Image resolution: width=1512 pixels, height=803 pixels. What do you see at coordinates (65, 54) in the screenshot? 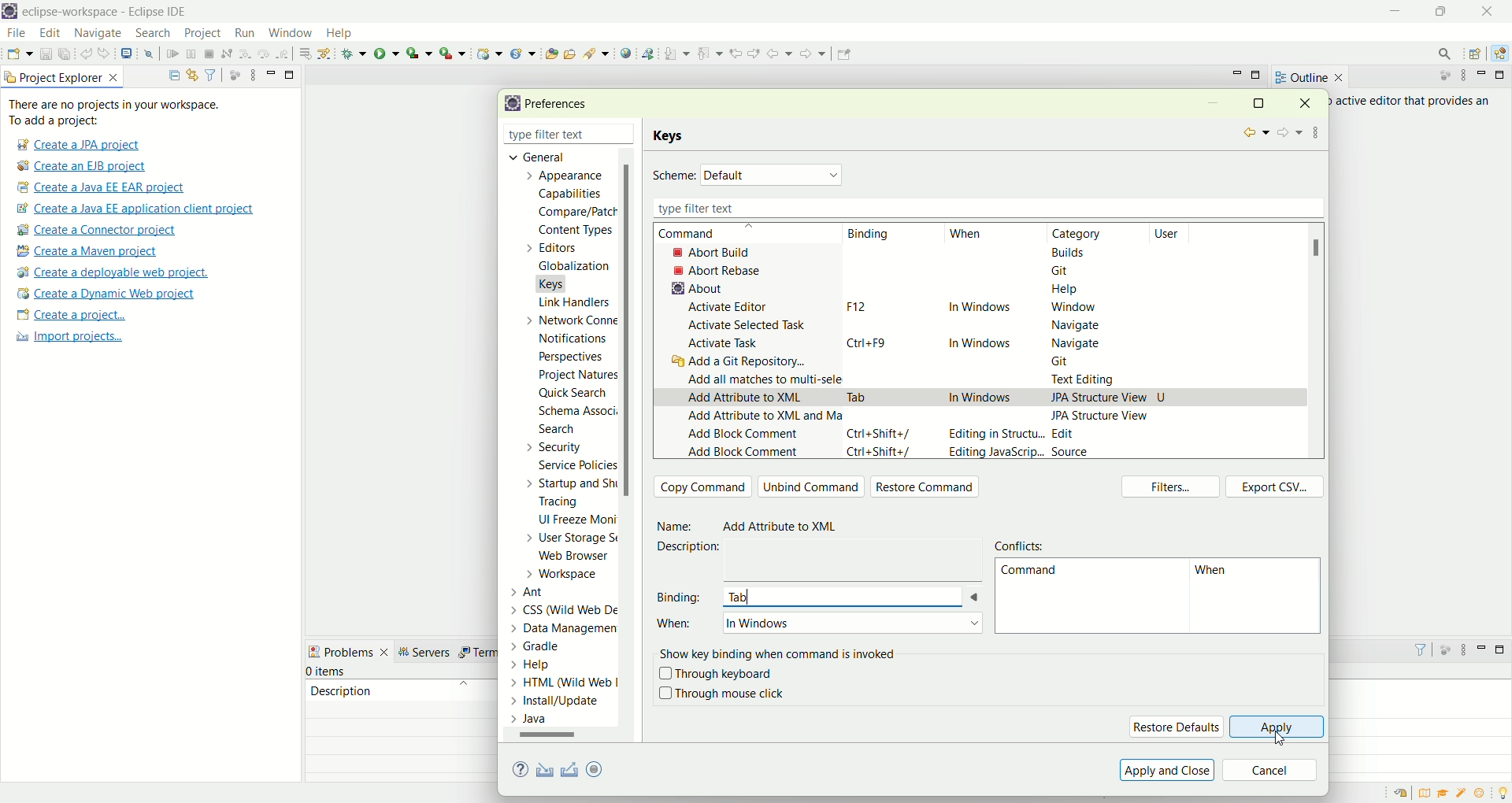
I see `save all` at bounding box center [65, 54].